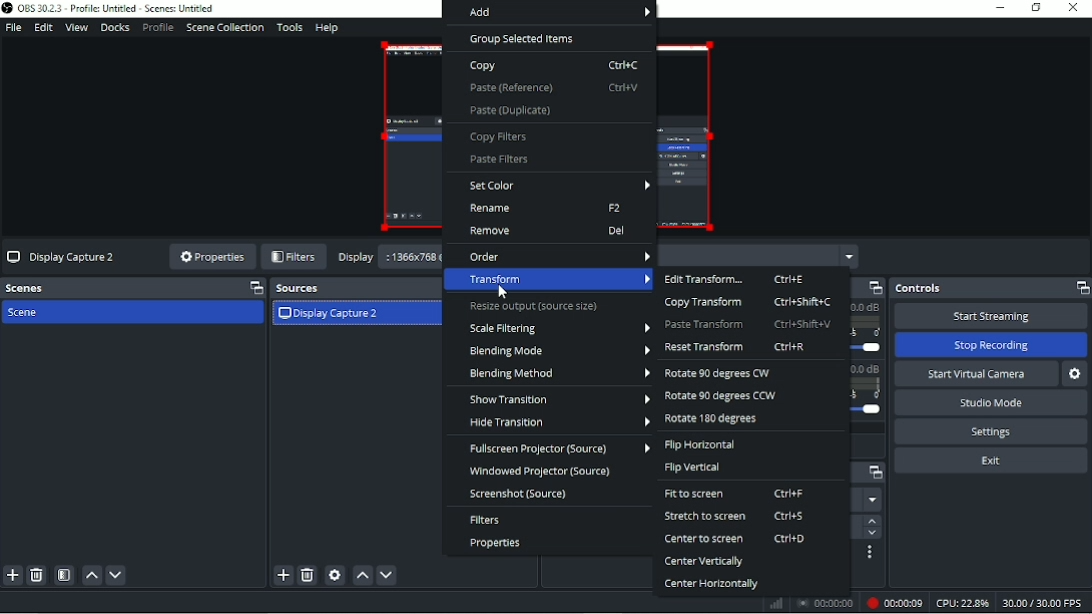  What do you see at coordinates (560, 185) in the screenshot?
I see `Set color` at bounding box center [560, 185].